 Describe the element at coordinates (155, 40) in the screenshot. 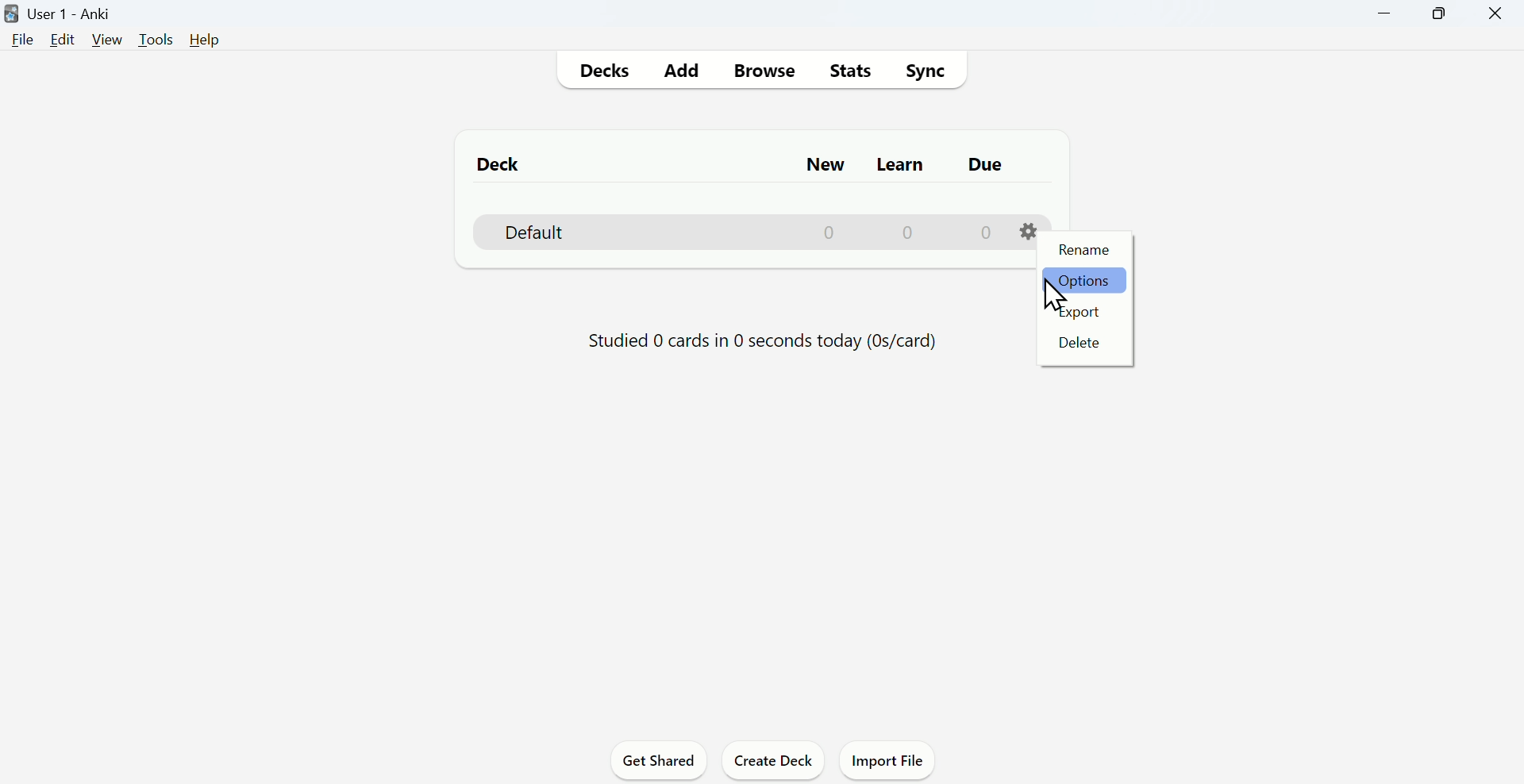

I see `Tools` at that location.